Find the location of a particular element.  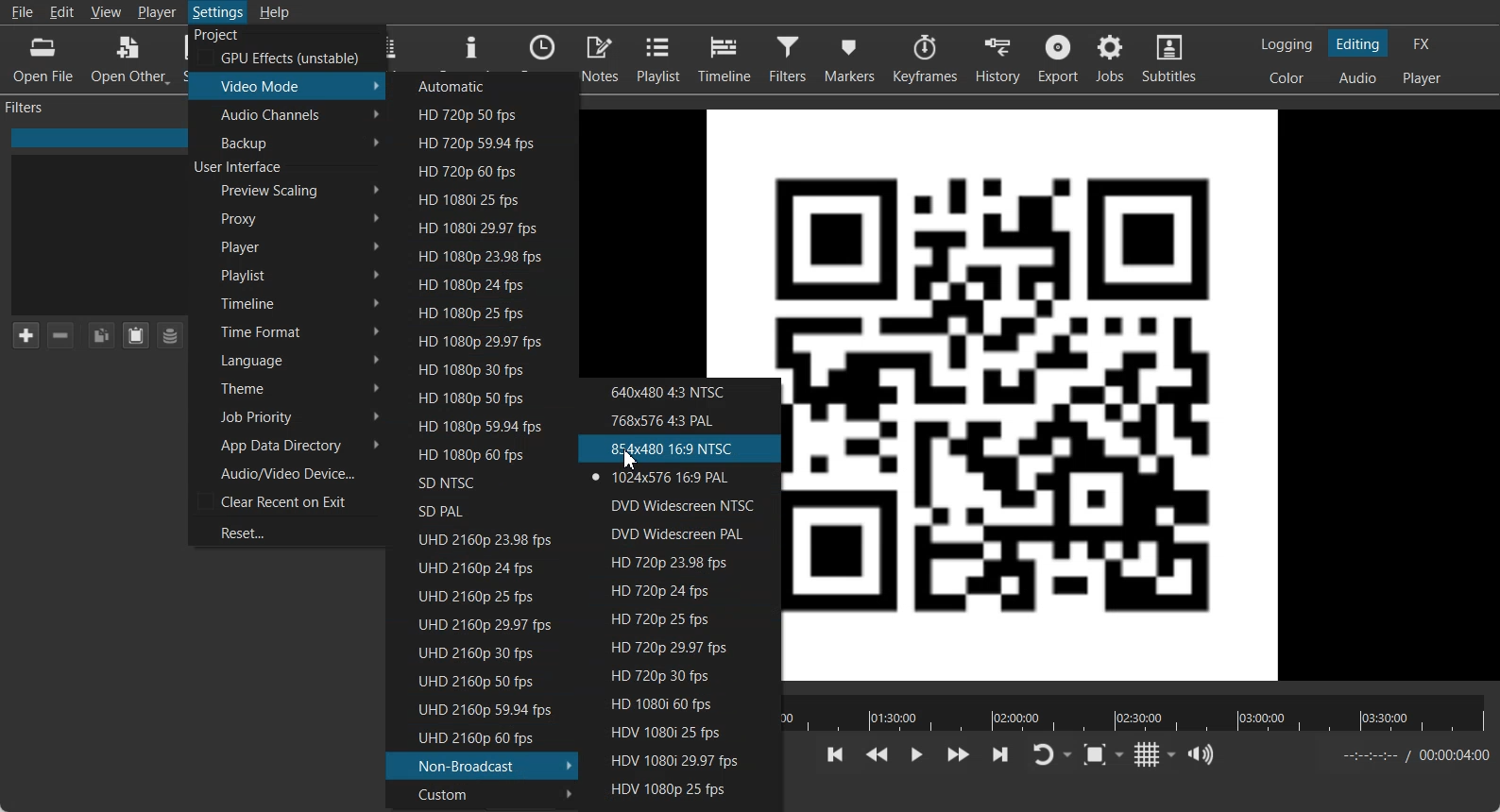

Video slider is located at coordinates (1137, 713).